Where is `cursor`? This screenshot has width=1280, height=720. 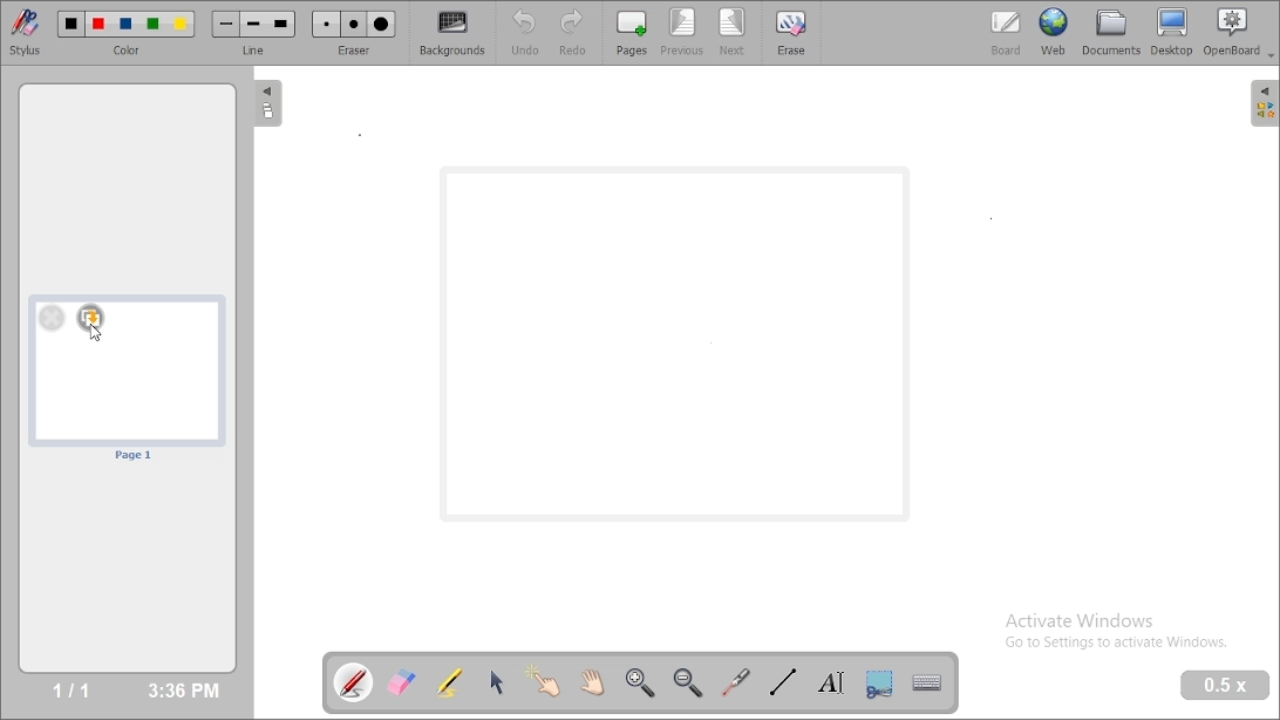
cursor is located at coordinates (95, 335).